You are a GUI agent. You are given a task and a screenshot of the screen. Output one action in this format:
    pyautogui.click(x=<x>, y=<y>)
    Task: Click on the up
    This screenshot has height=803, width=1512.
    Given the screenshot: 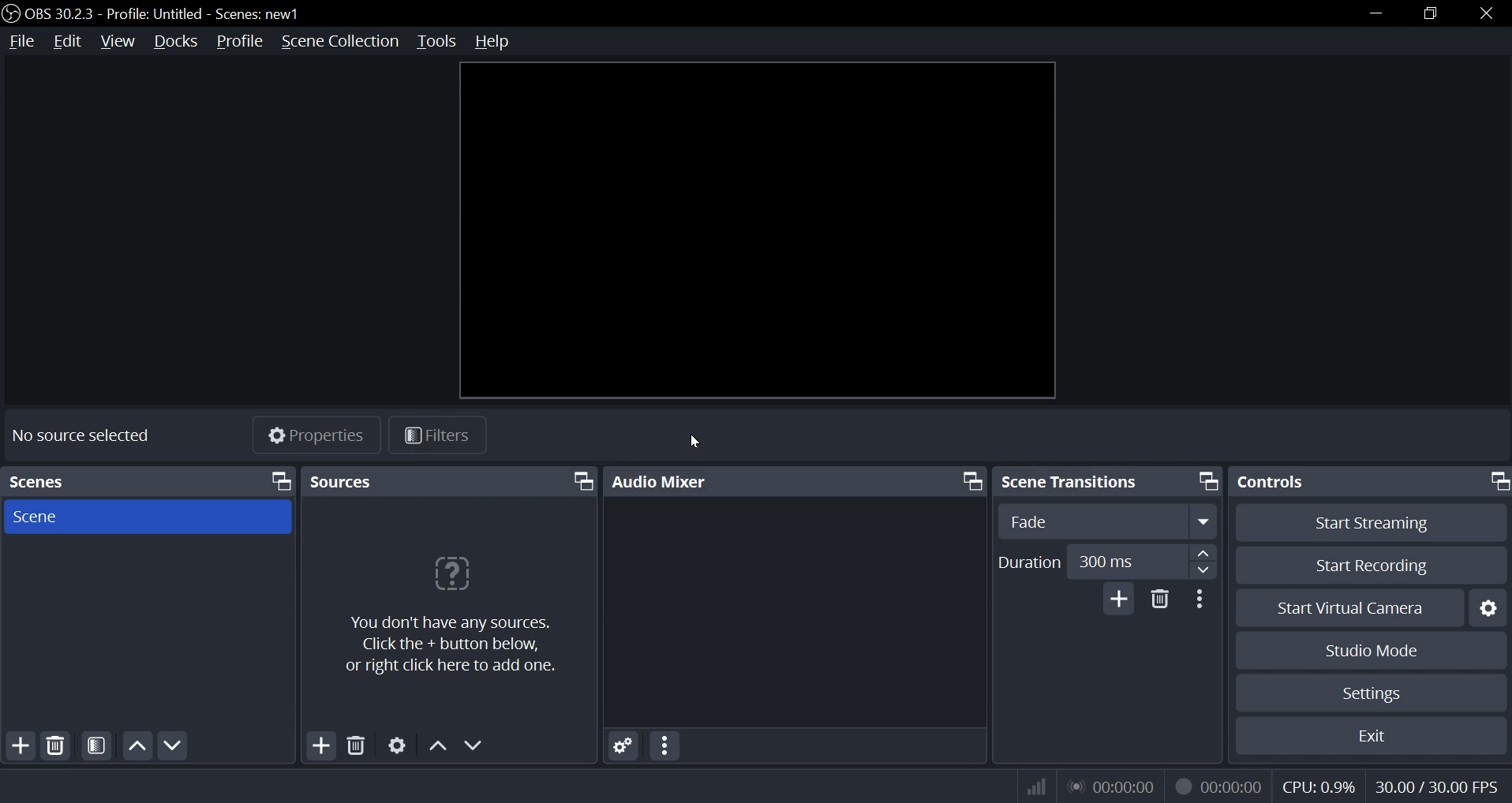 What is the action you would take?
    pyautogui.click(x=436, y=743)
    